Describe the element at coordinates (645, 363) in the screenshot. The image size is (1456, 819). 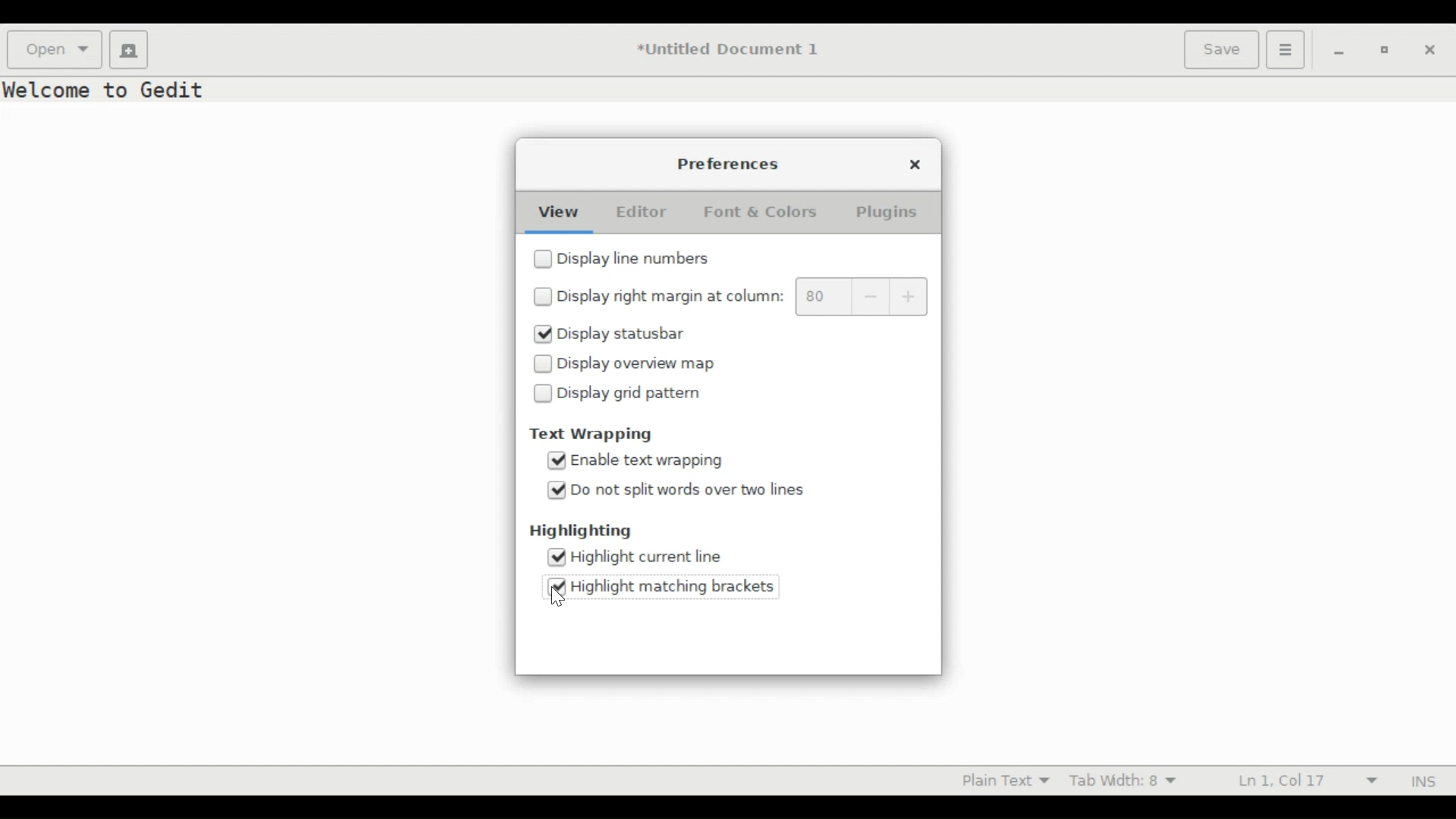
I see `Display overview map` at that location.